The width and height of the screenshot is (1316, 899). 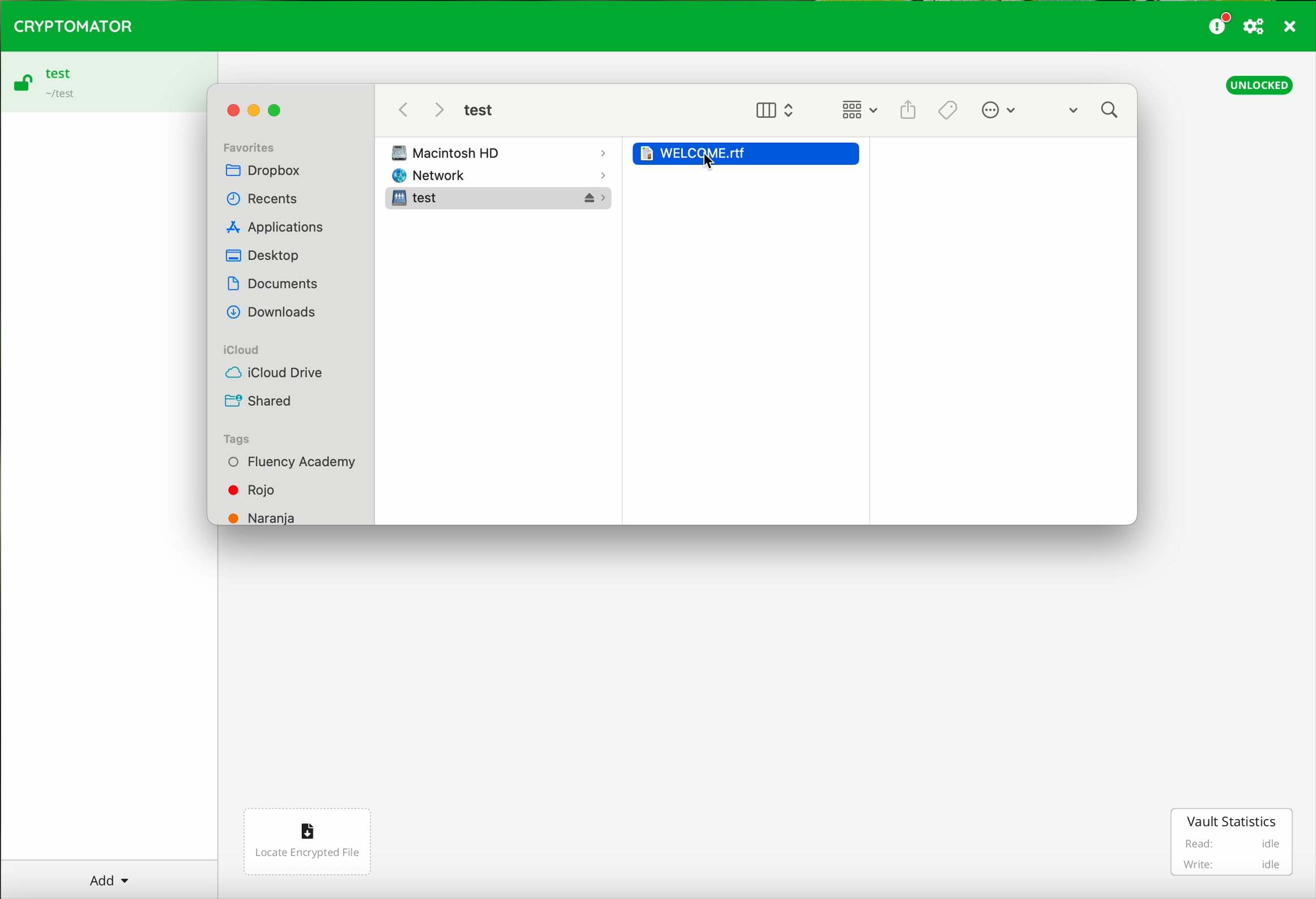 What do you see at coordinates (908, 106) in the screenshot?
I see `Gallery View` at bounding box center [908, 106].